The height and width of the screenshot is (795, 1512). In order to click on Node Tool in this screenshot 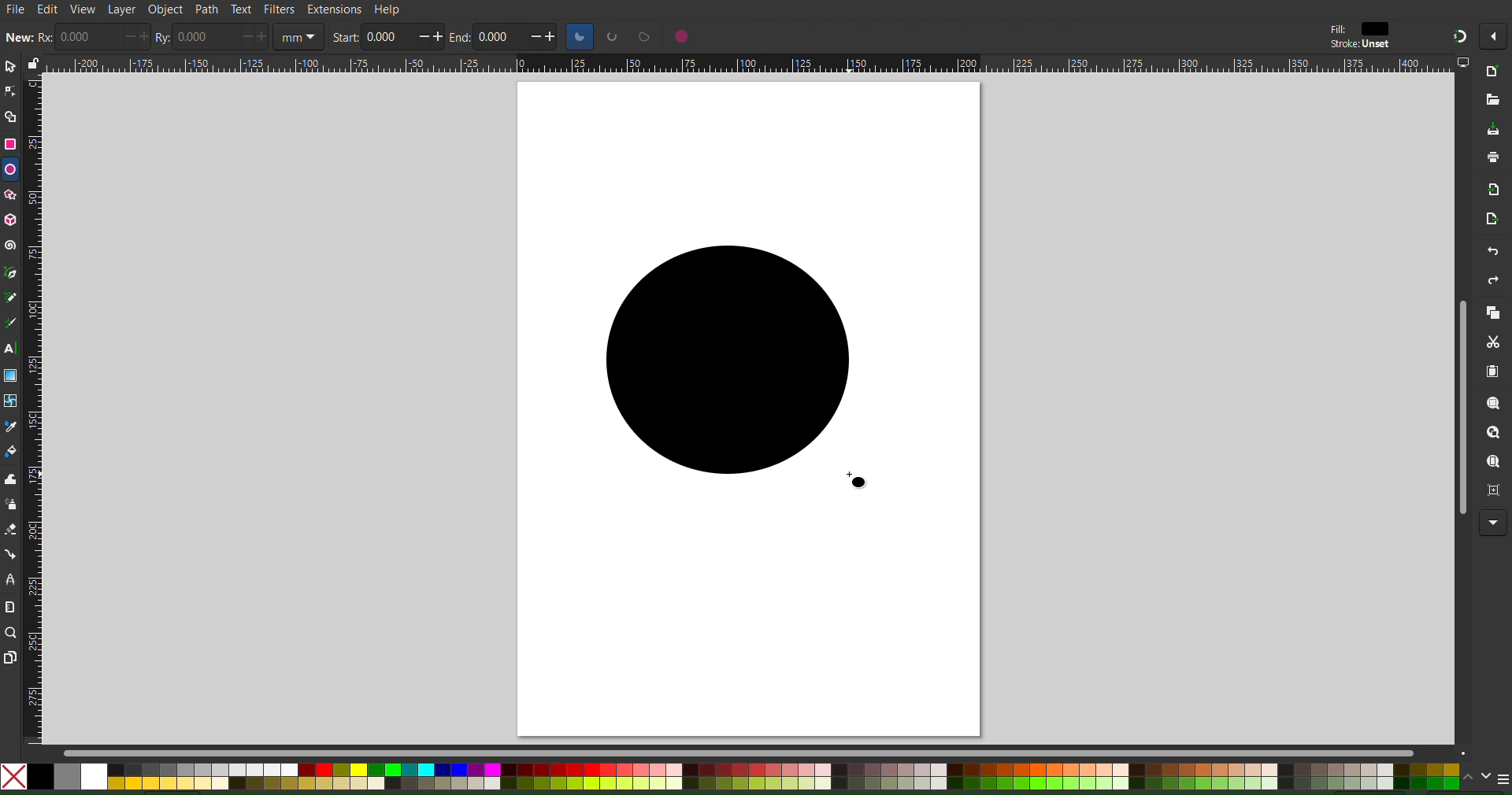, I will do `click(9, 94)`.